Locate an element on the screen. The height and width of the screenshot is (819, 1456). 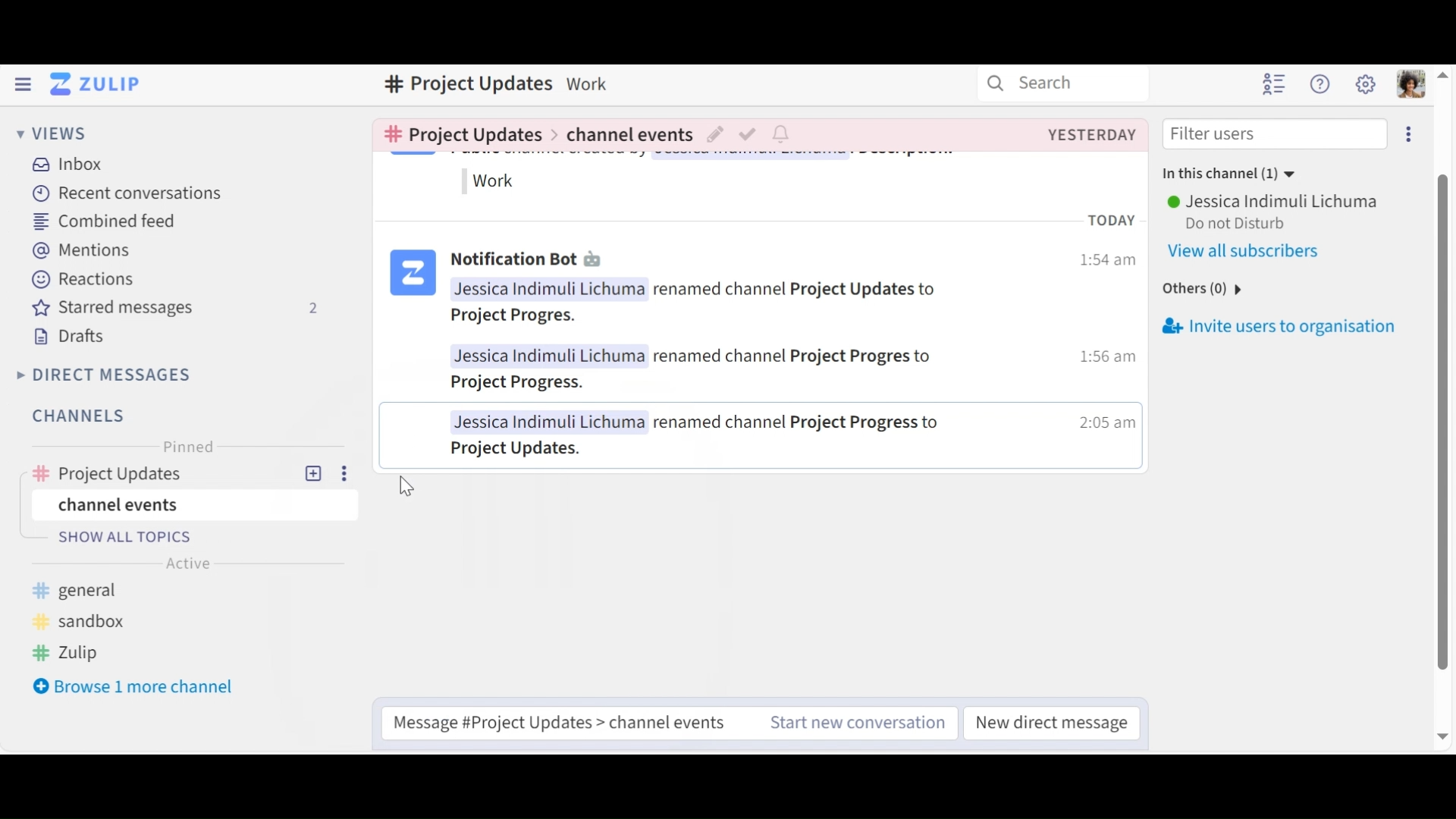
Help Menu is located at coordinates (1322, 84).